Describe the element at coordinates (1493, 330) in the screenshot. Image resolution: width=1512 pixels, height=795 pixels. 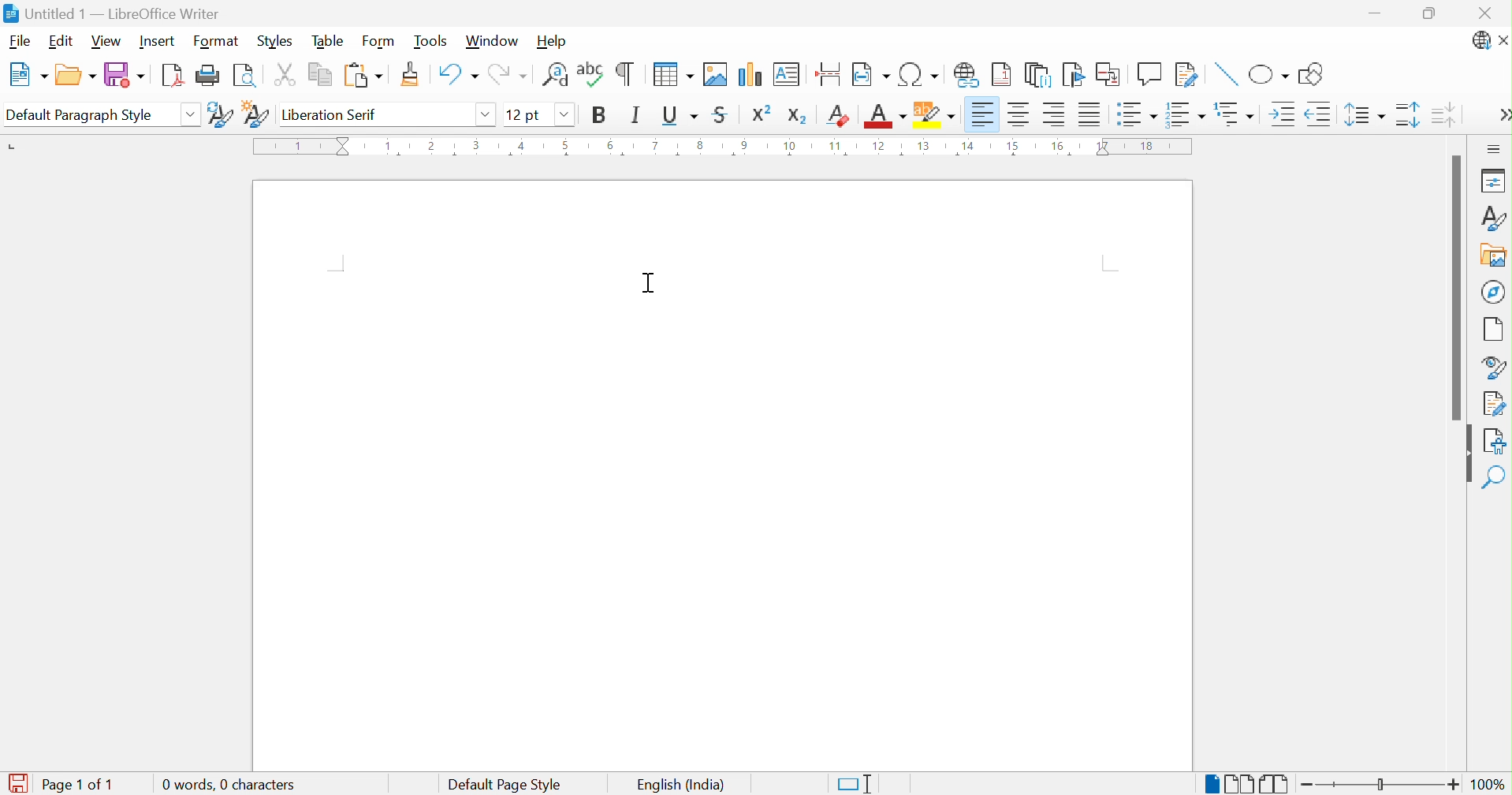
I see `Page` at that location.